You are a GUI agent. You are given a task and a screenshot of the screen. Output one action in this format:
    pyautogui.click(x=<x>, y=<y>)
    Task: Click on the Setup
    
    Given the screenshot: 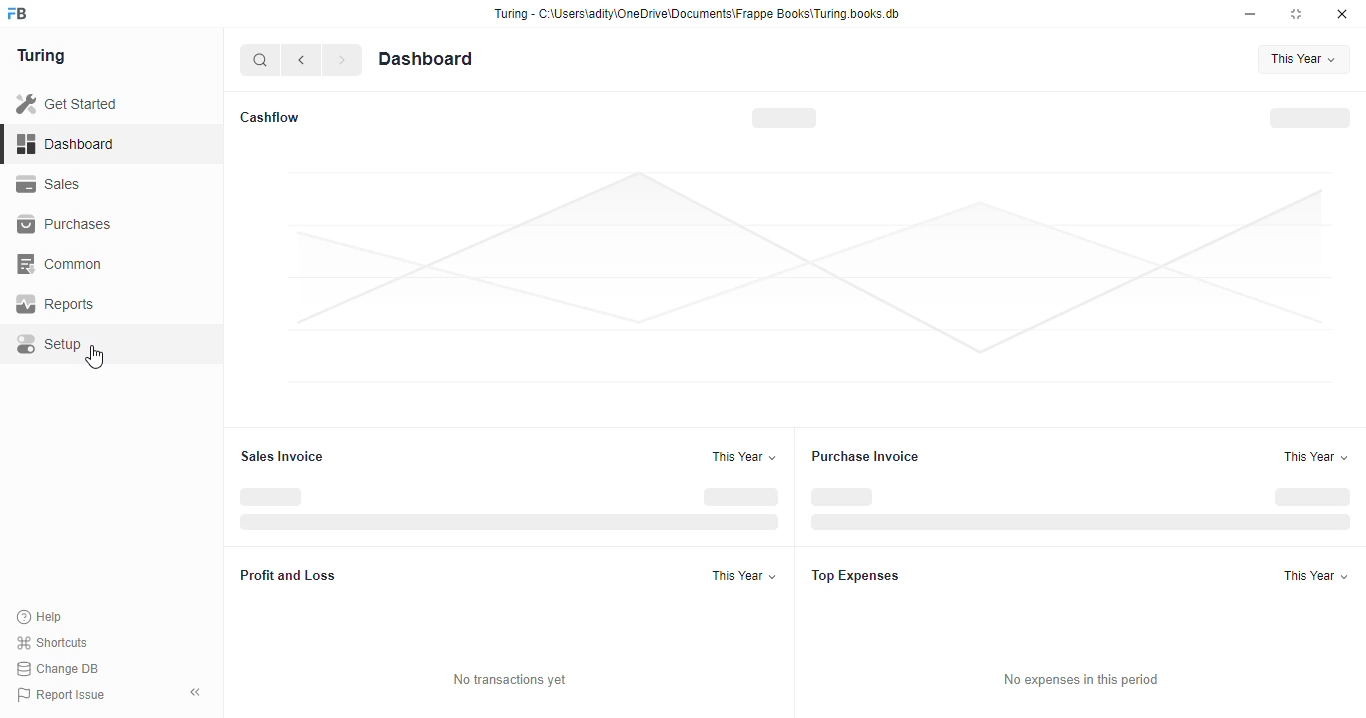 What is the action you would take?
    pyautogui.click(x=92, y=344)
    